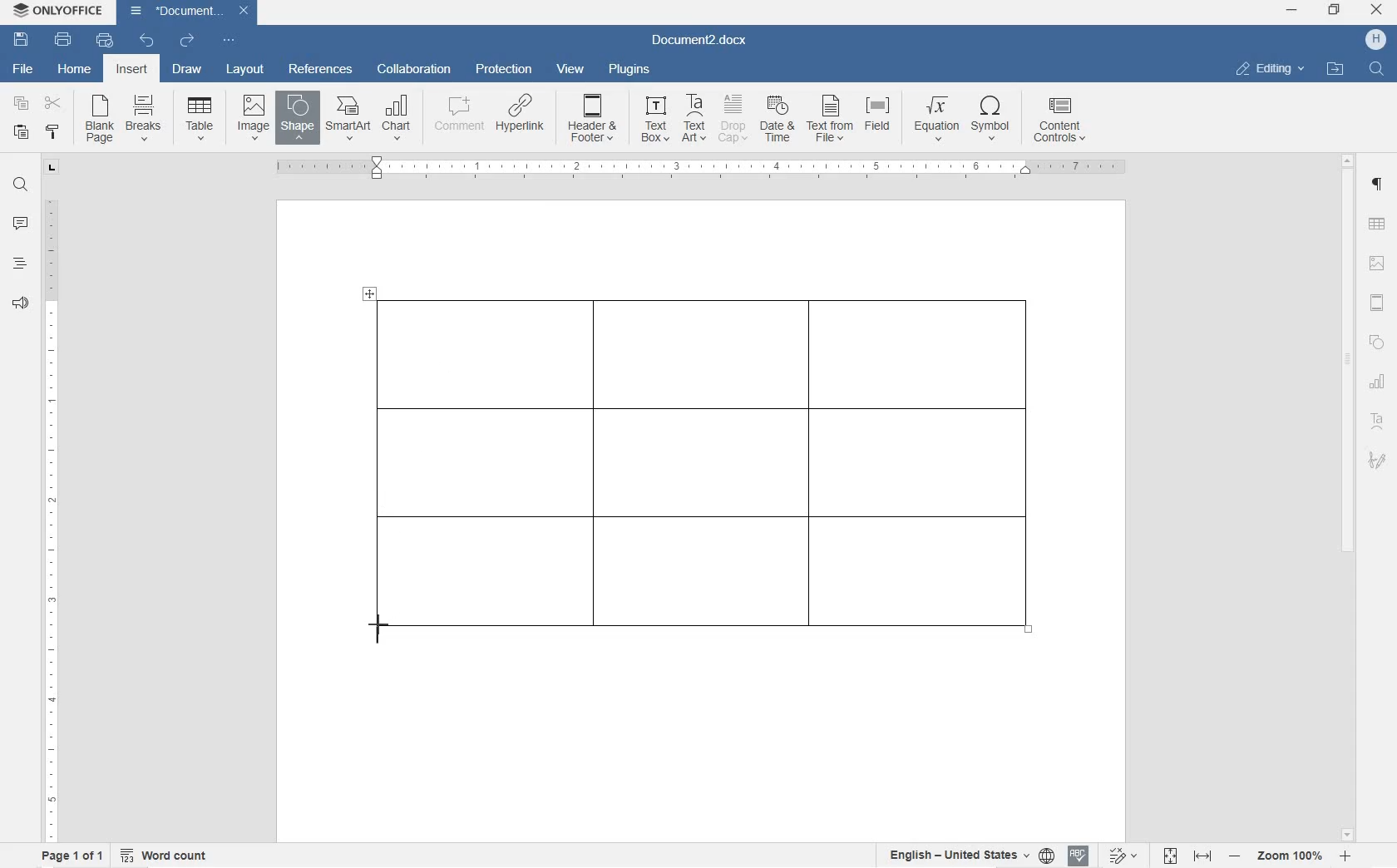  What do you see at coordinates (22, 132) in the screenshot?
I see `paste` at bounding box center [22, 132].